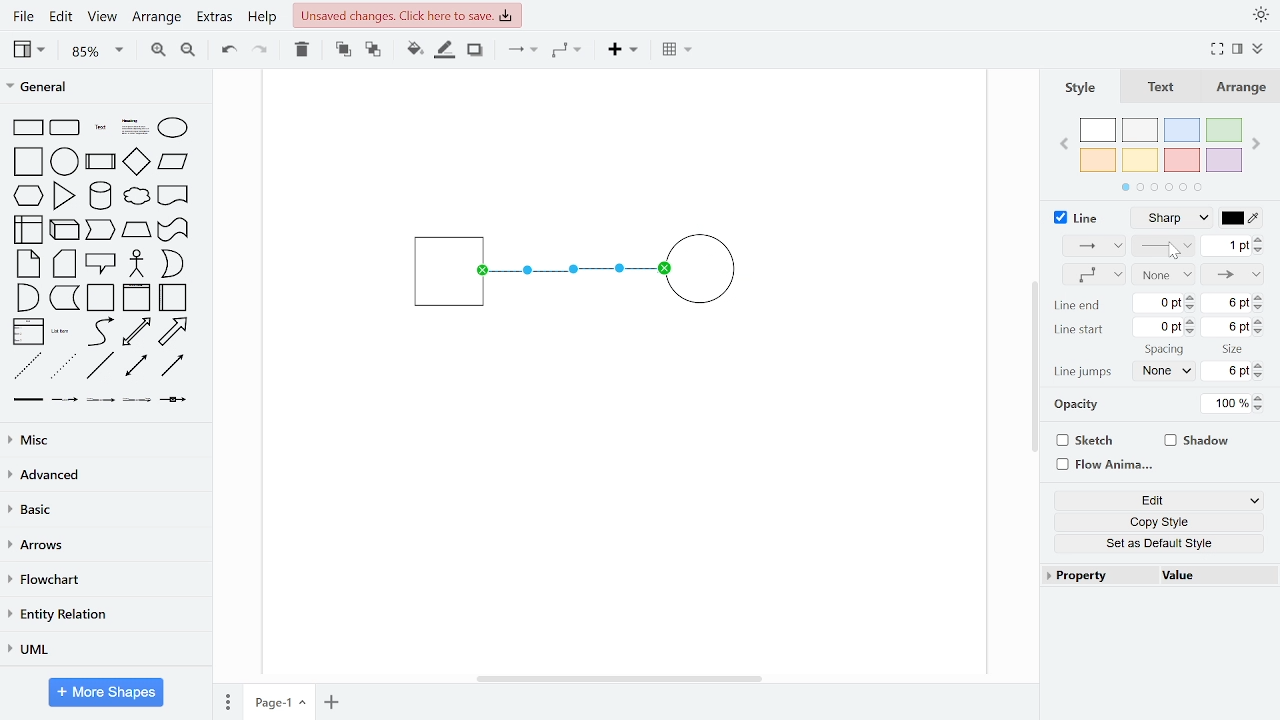  What do you see at coordinates (177, 129) in the screenshot?
I see `ellipse` at bounding box center [177, 129].